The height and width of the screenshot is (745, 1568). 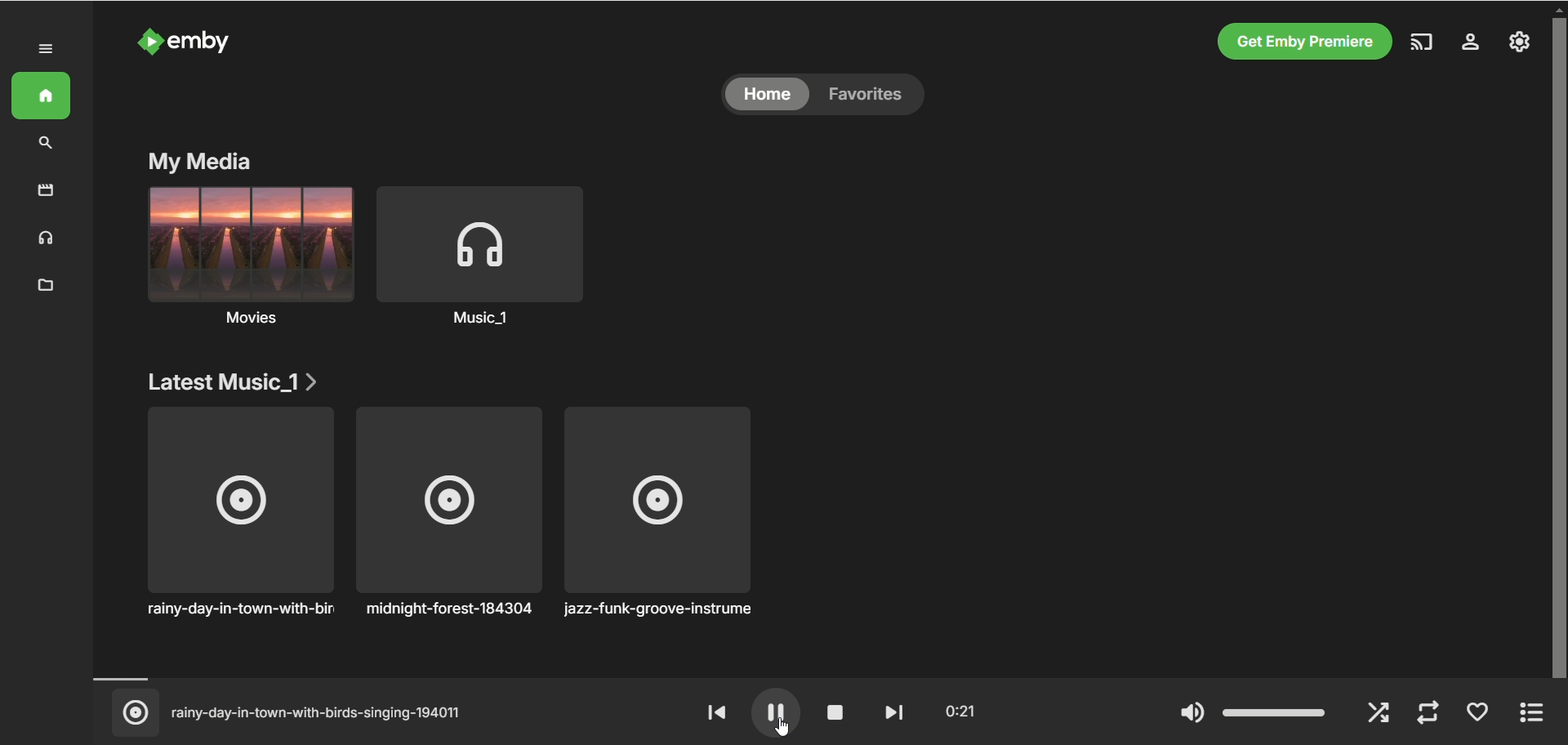 What do you see at coordinates (1423, 43) in the screenshot?
I see `play on another device` at bounding box center [1423, 43].